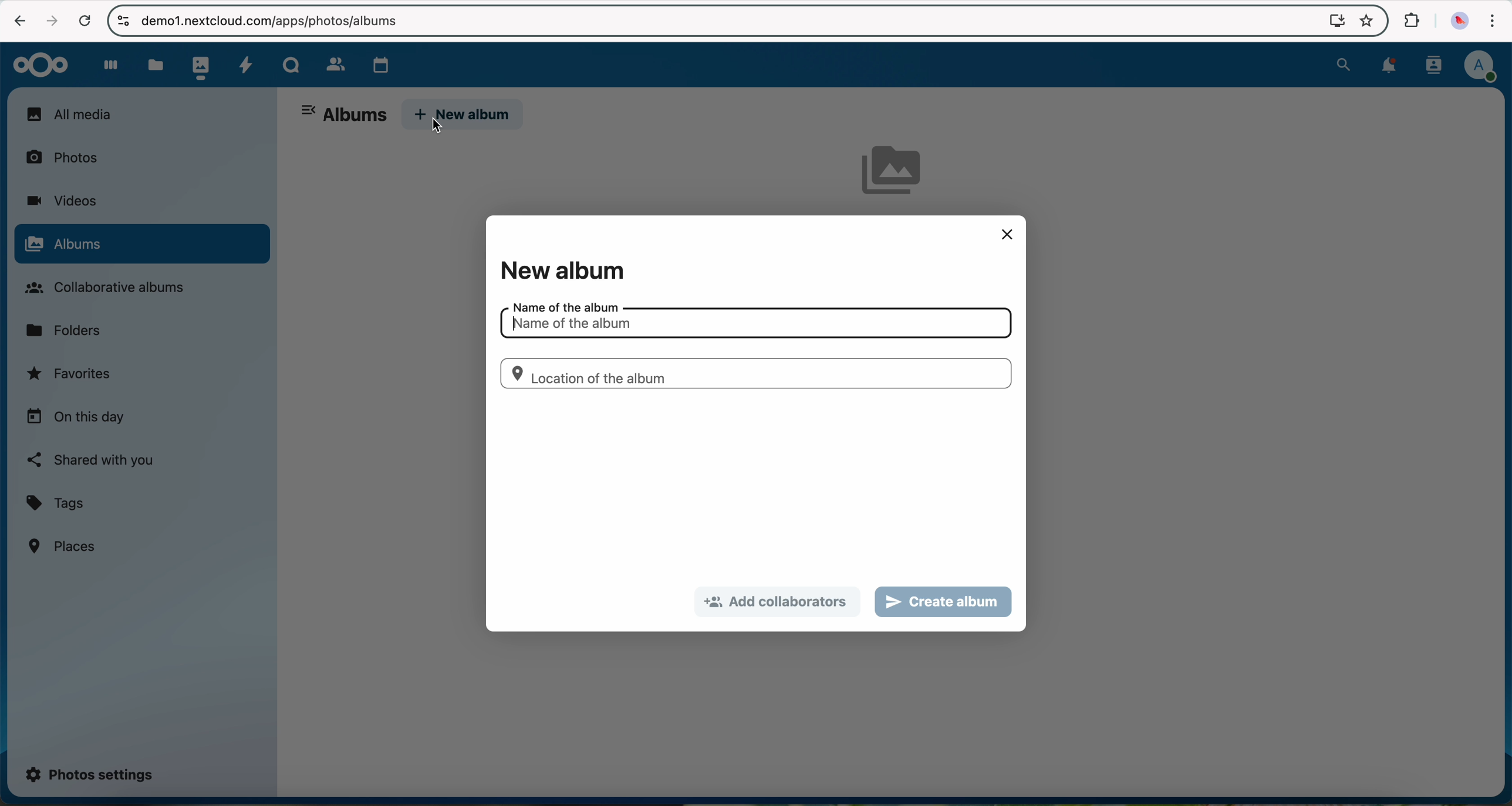 The height and width of the screenshot is (806, 1512). What do you see at coordinates (897, 177) in the screenshot?
I see `there is no album yet` at bounding box center [897, 177].